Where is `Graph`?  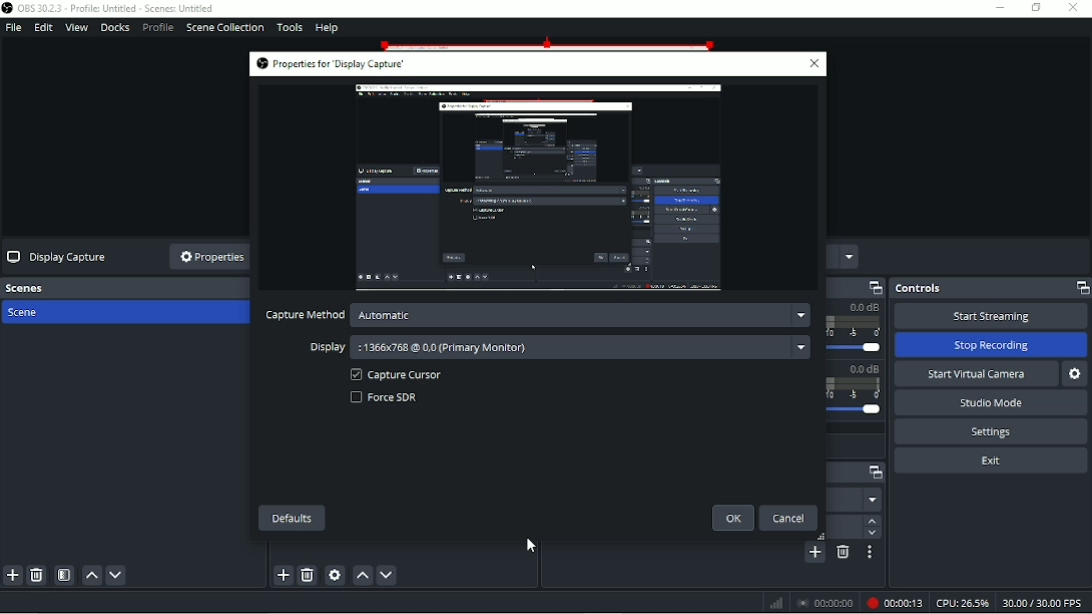 Graph is located at coordinates (777, 602).